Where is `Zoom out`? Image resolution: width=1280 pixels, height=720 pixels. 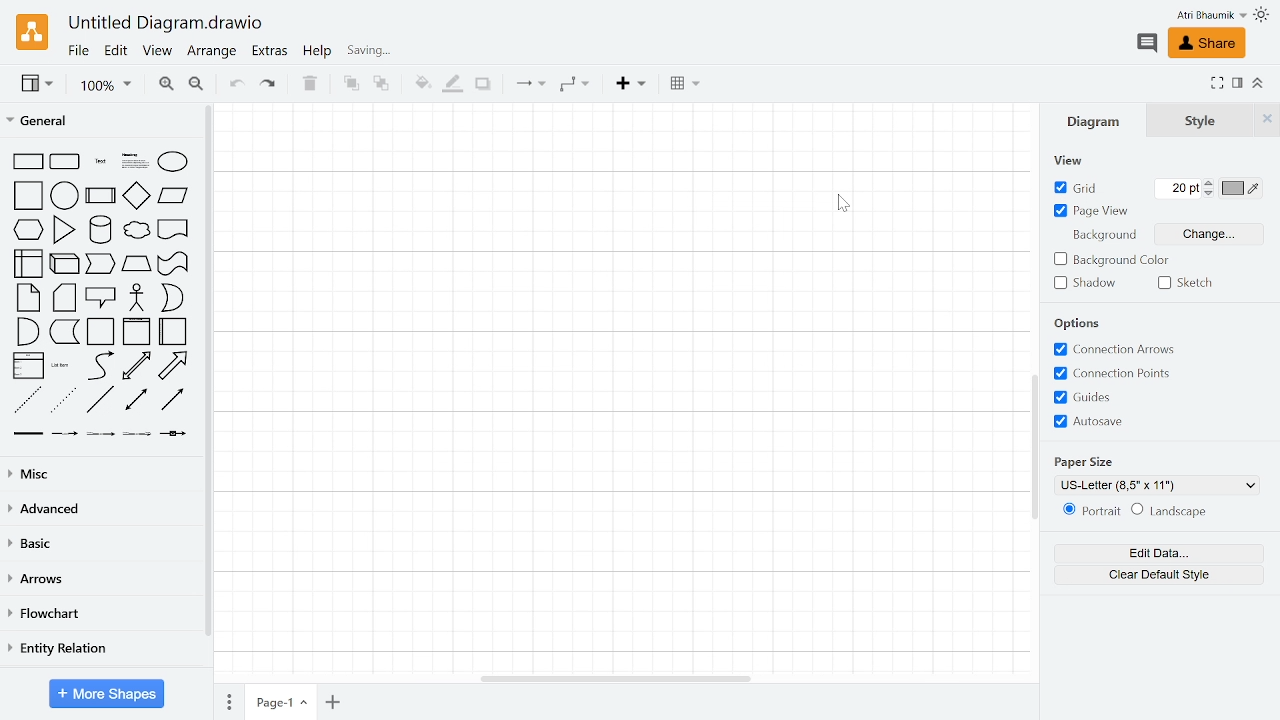
Zoom out is located at coordinates (198, 85).